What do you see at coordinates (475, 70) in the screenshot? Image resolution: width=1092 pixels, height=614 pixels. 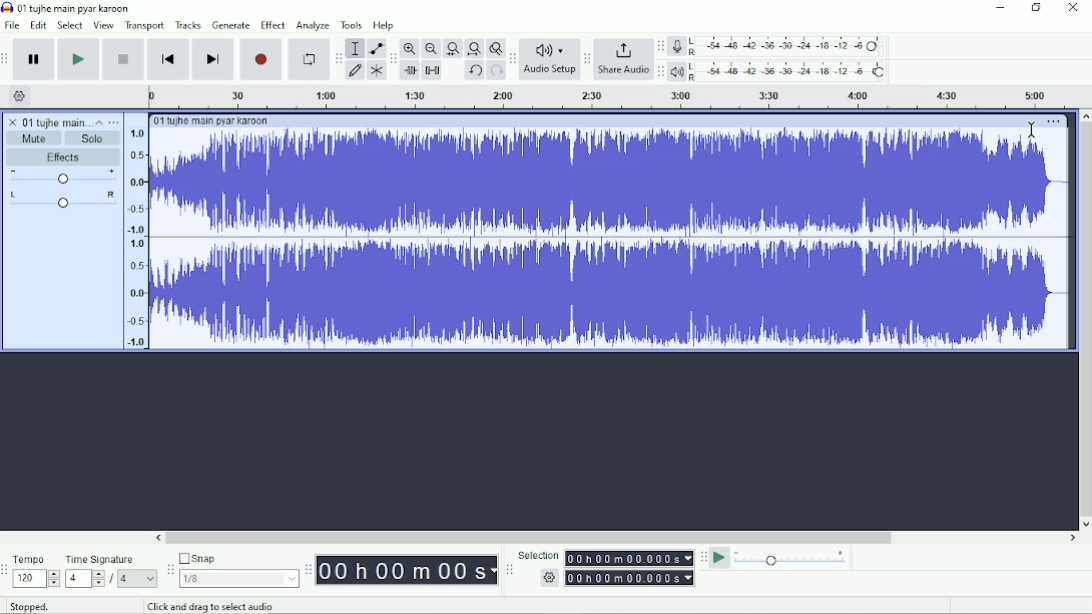 I see `Undo` at bounding box center [475, 70].